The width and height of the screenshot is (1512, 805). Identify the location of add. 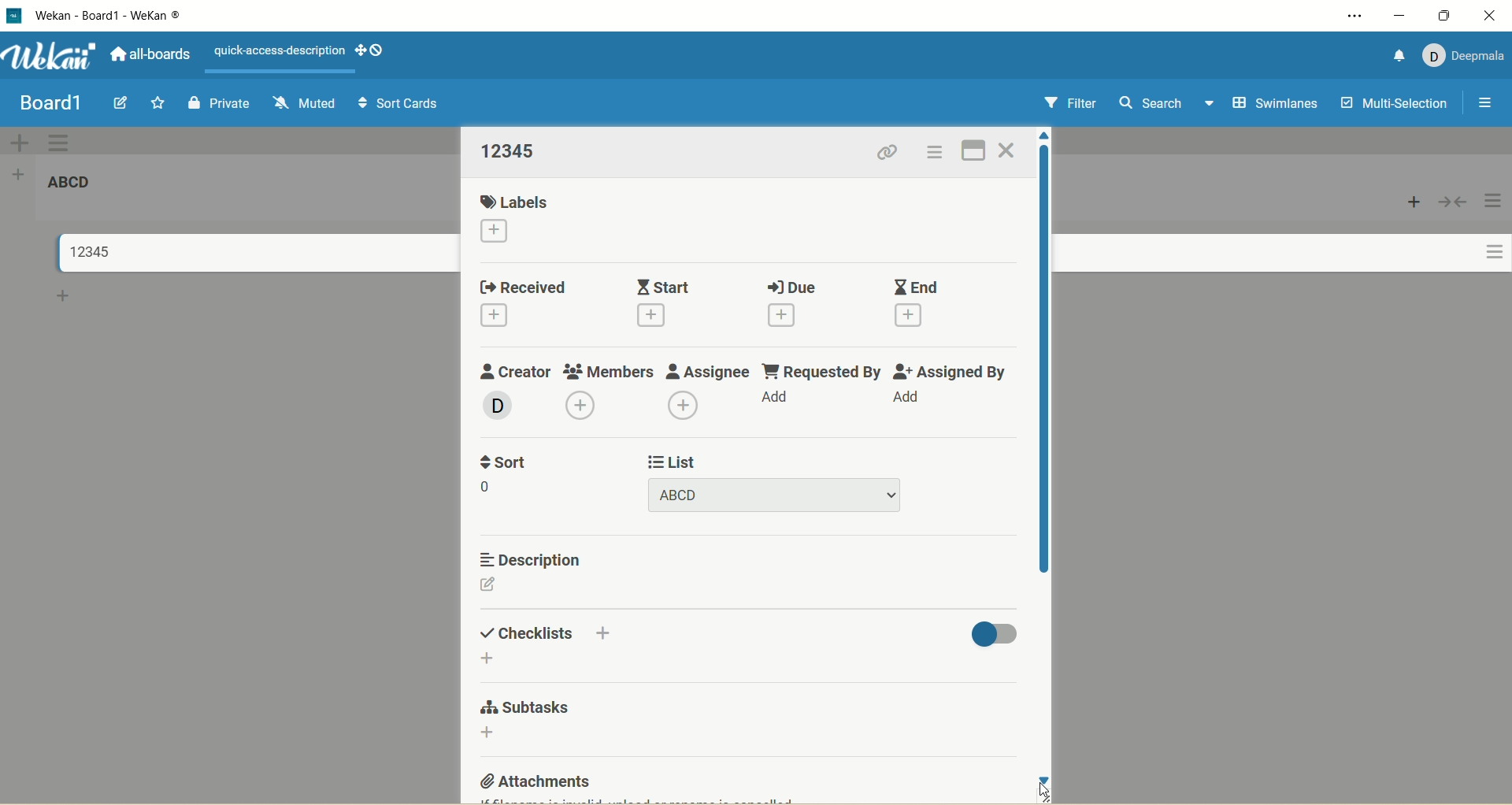
(502, 317).